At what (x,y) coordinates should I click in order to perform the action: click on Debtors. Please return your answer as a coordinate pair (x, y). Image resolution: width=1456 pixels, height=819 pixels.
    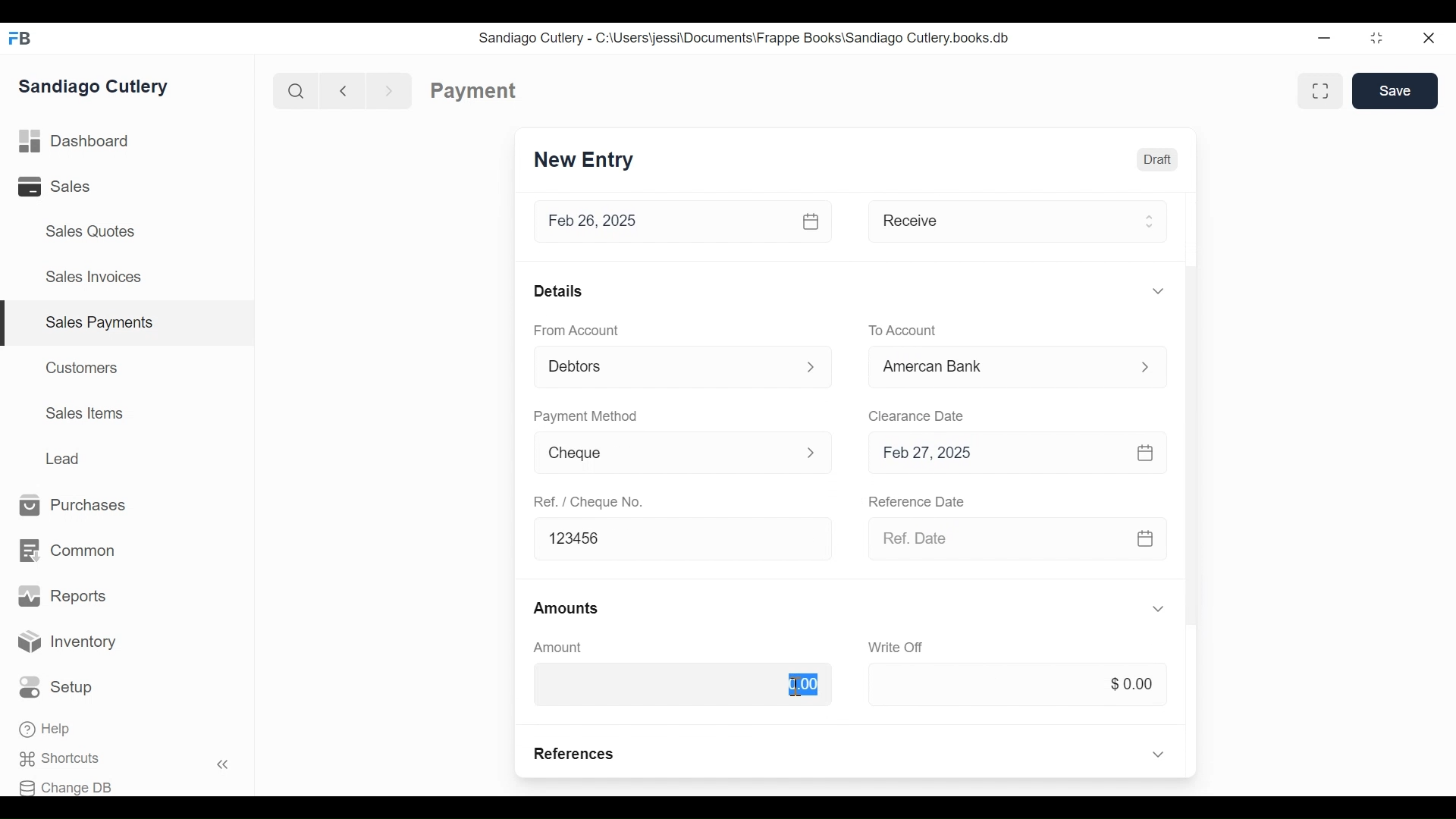
    Looking at the image, I should click on (664, 365).